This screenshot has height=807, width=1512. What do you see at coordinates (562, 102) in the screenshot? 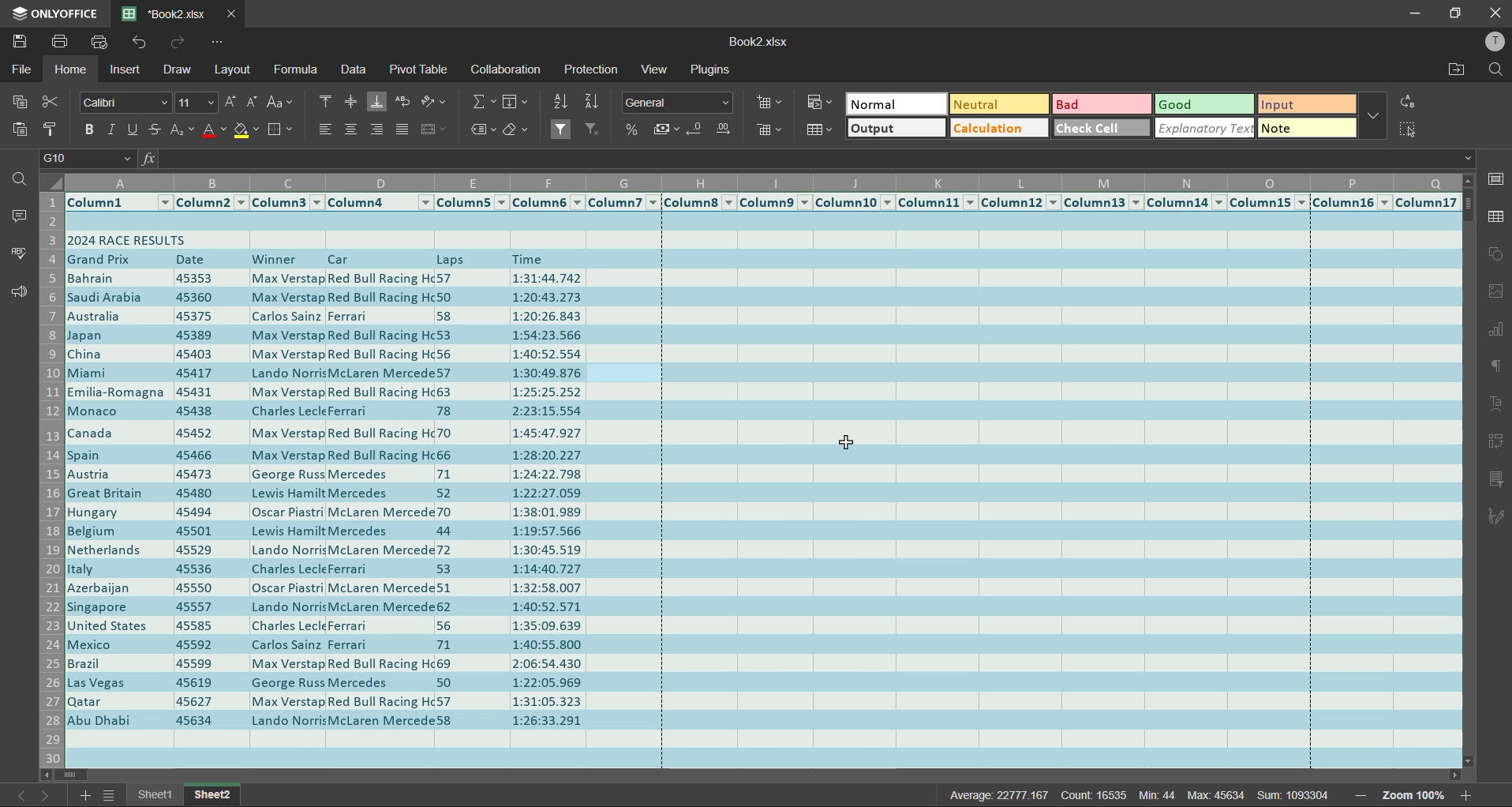
I see `sort ascending` at bounding box center [562, 102].